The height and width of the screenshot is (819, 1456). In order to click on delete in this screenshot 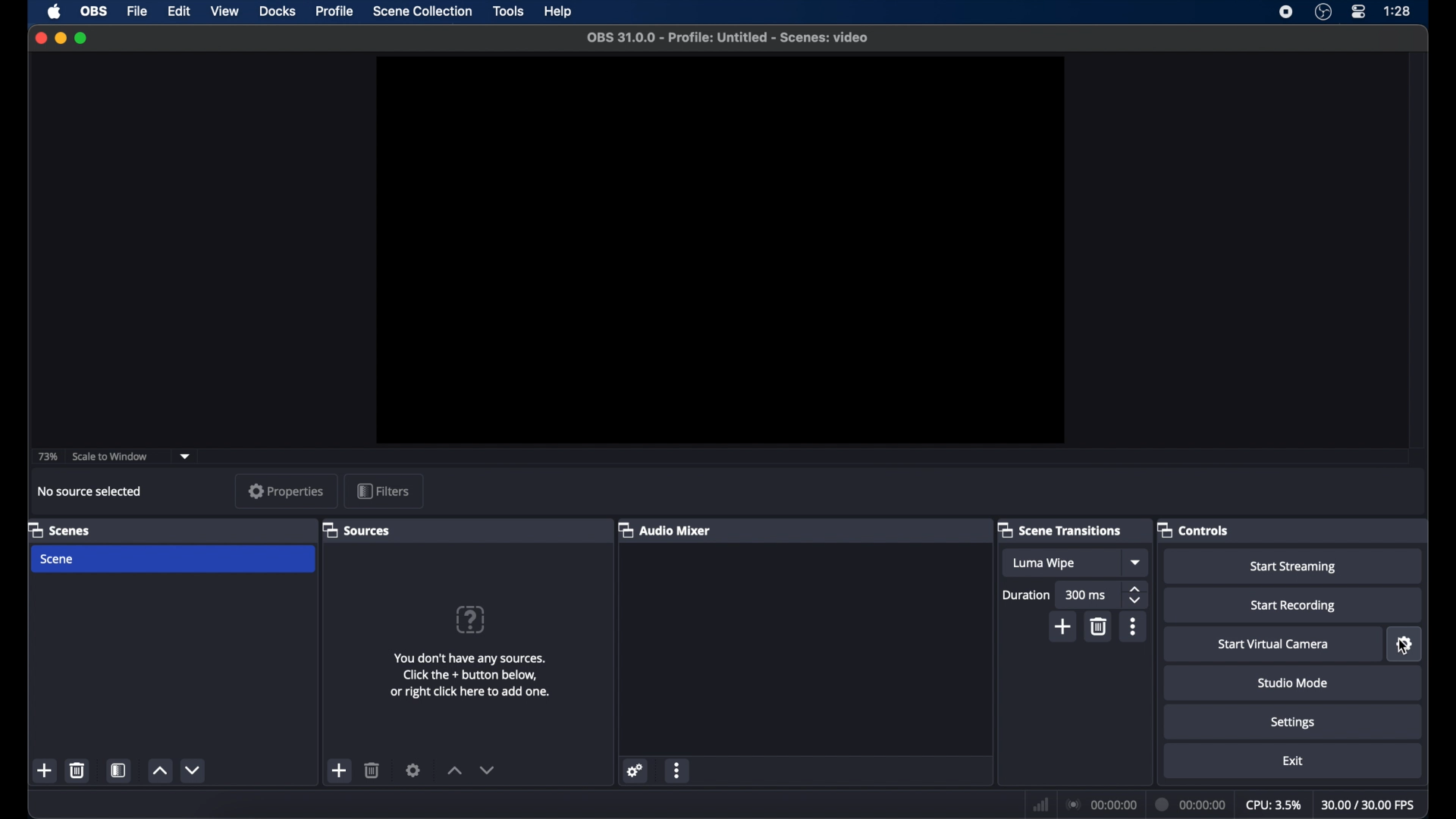, I will do `click(78, 771)`.